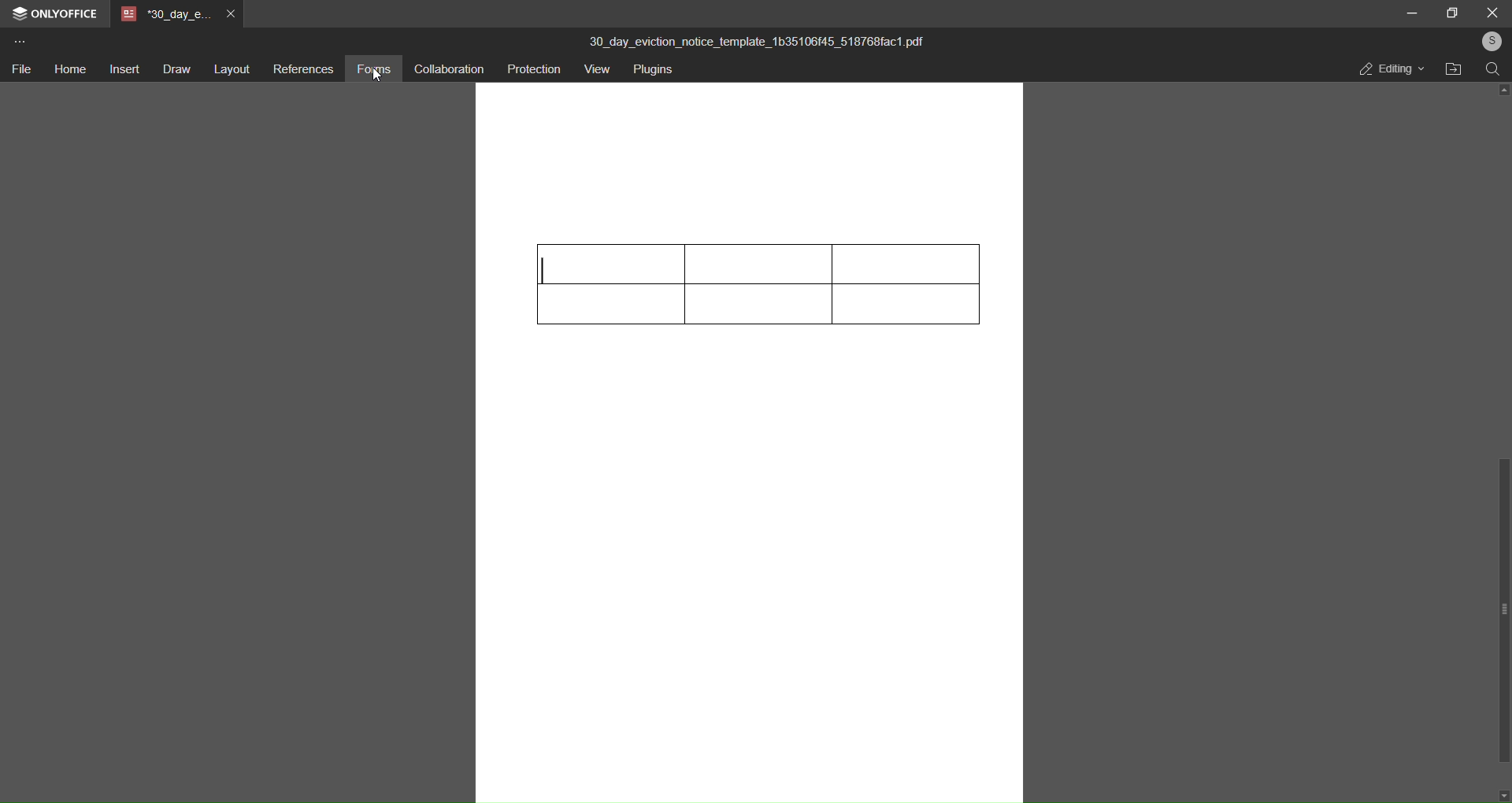  I want to click on title, so click(757, 43).